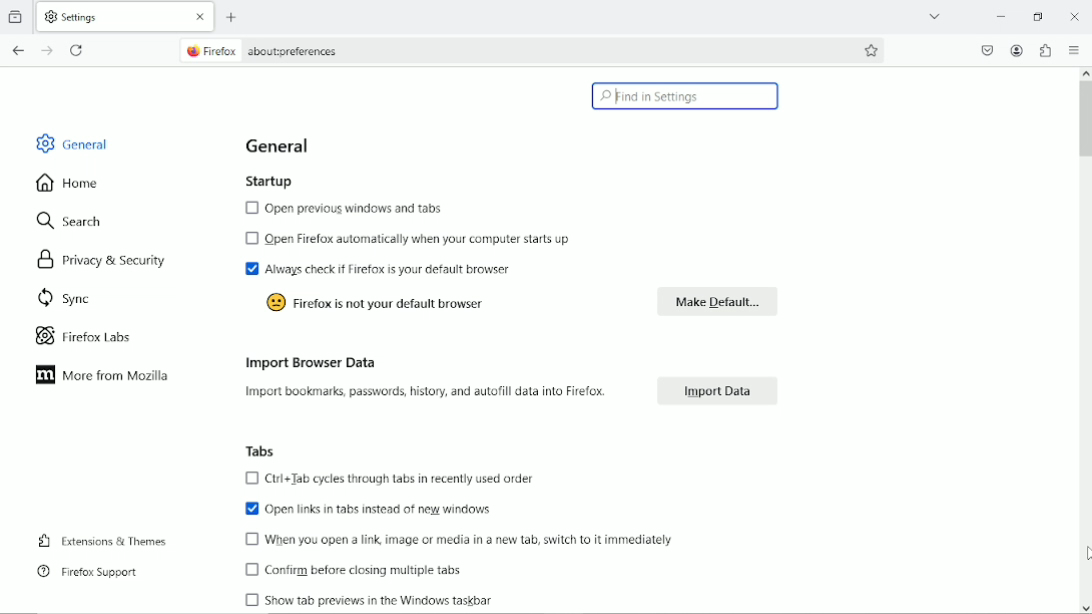 This screenshot has height=614, width=1092. What do you see at coordinates (1085, 122) in the screenshot?
I see `Vertical scrollbar` at bounding box center [1085, 122].